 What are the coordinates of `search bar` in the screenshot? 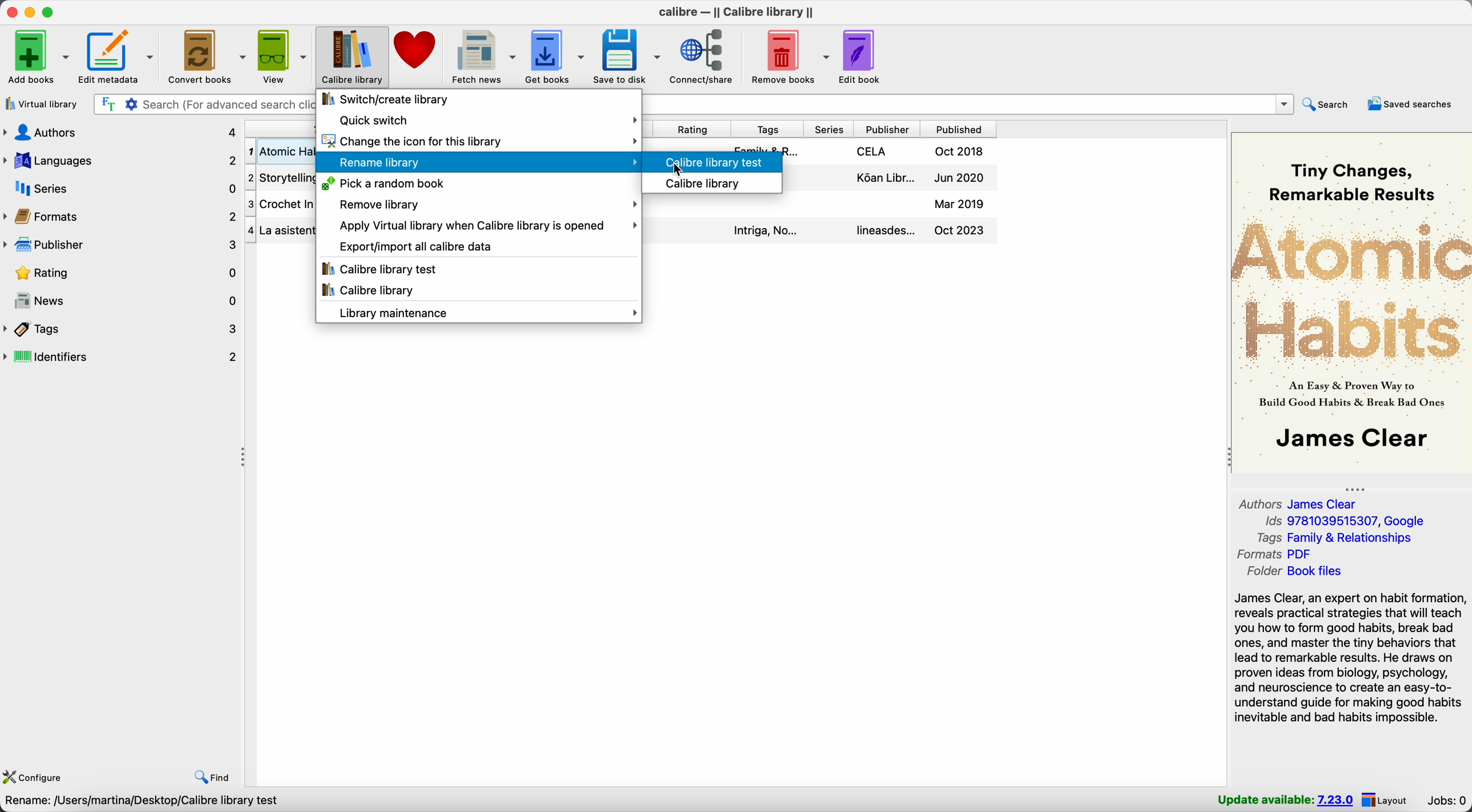 It's located at (201, 103).